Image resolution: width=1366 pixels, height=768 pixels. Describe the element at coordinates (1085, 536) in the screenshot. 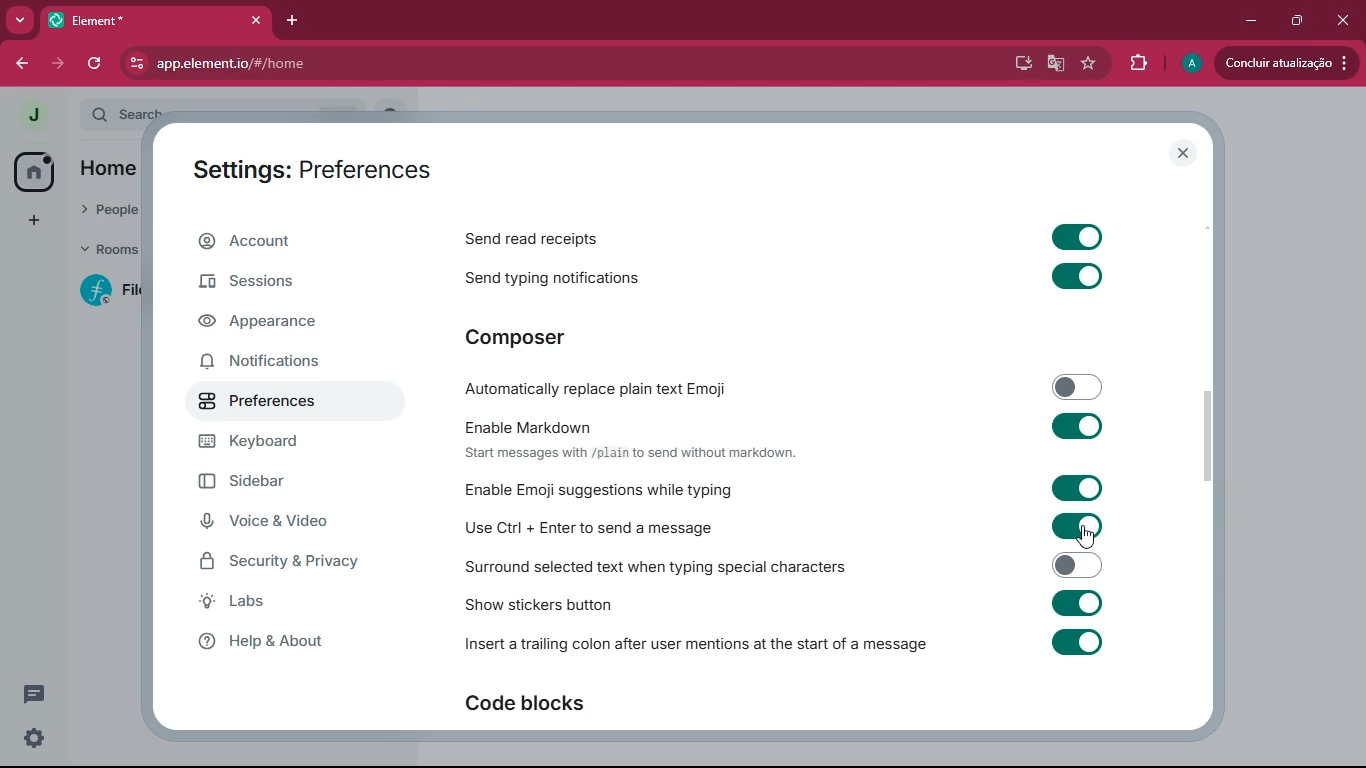

I see `cursor` at that location.